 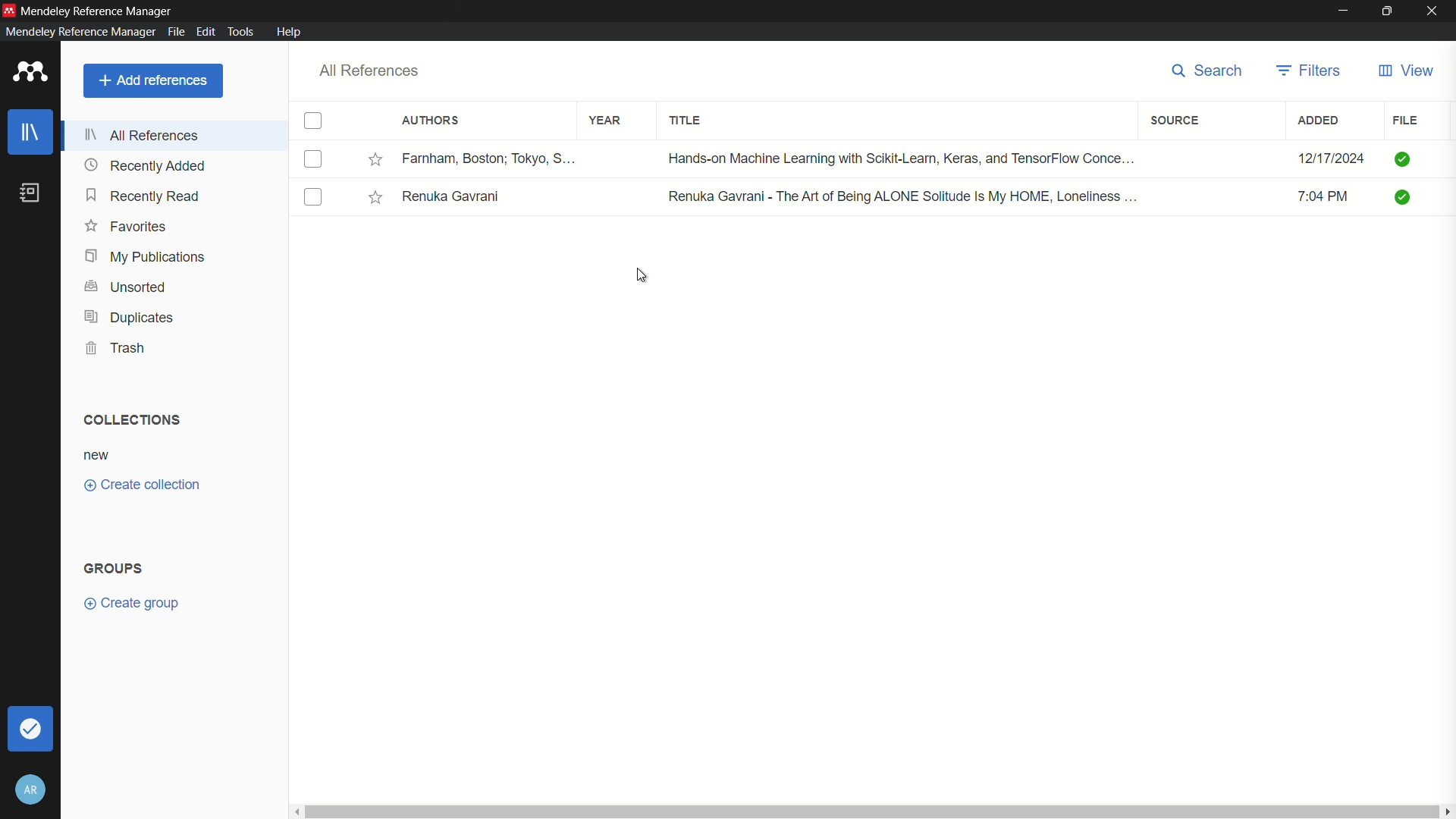 What do you see at coordinates (30, 193) in the screenshot?
I see `books` at bounding box center [30, 193].